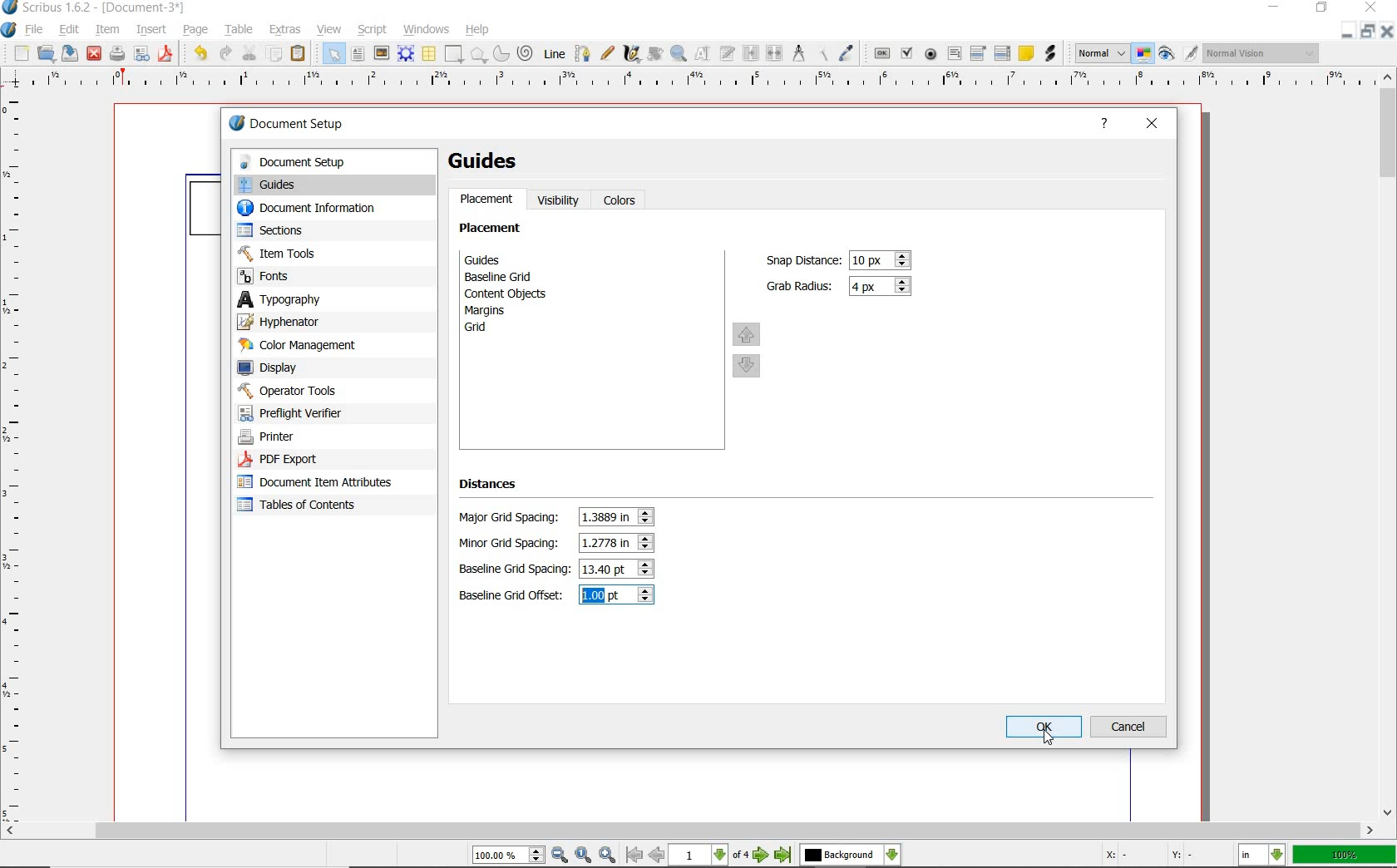 The height and width of the screenshot is (868, 1397). Describe the element at coordinates (237, 31) in the screenshot. I see `table` at that location.